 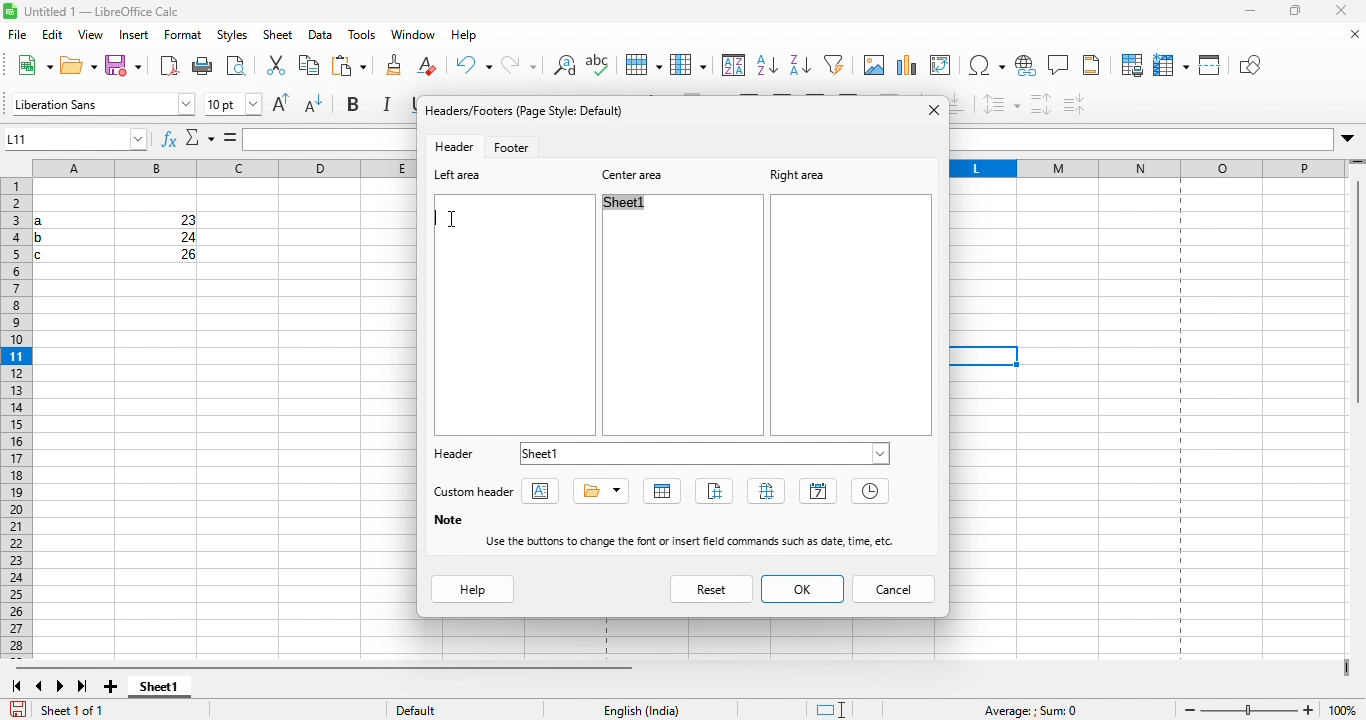 I want to click on function wizard, so click(x=165, y=139).